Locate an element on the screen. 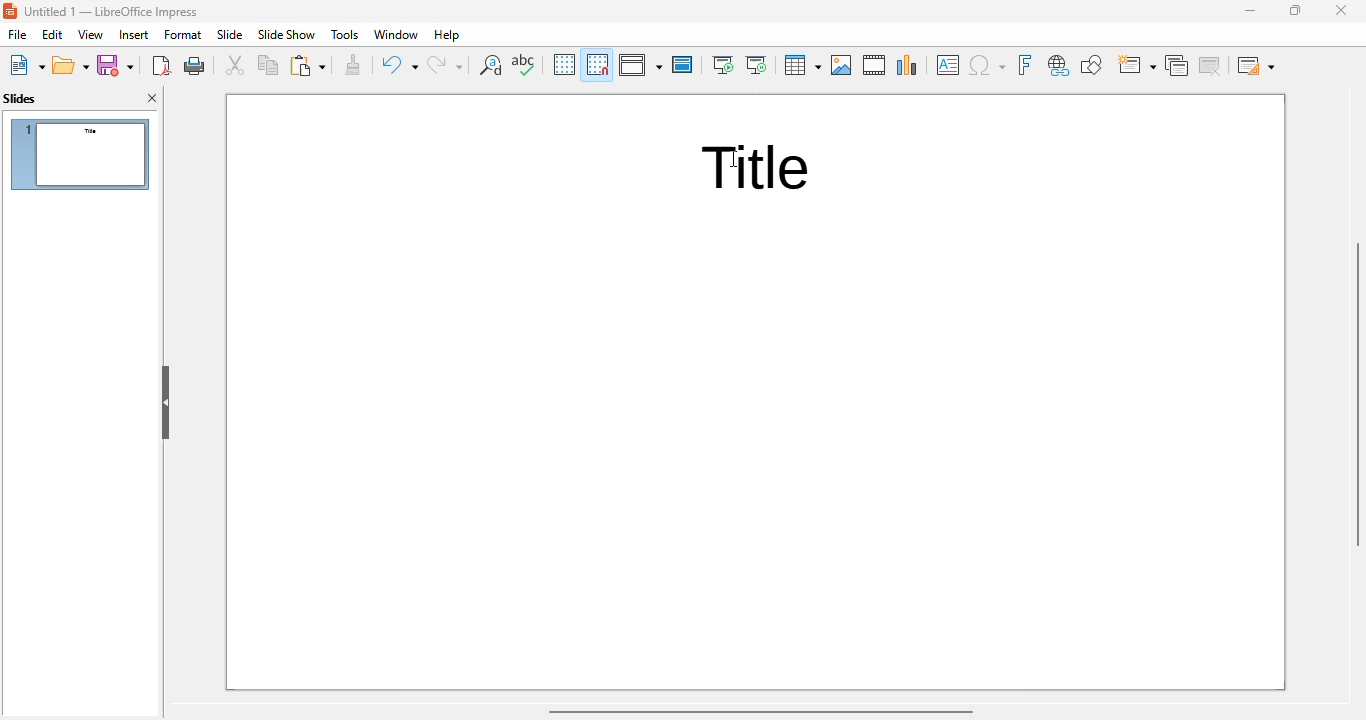 This screenshot has width=1366, height=720. logo is located at coordinates (10, 11).